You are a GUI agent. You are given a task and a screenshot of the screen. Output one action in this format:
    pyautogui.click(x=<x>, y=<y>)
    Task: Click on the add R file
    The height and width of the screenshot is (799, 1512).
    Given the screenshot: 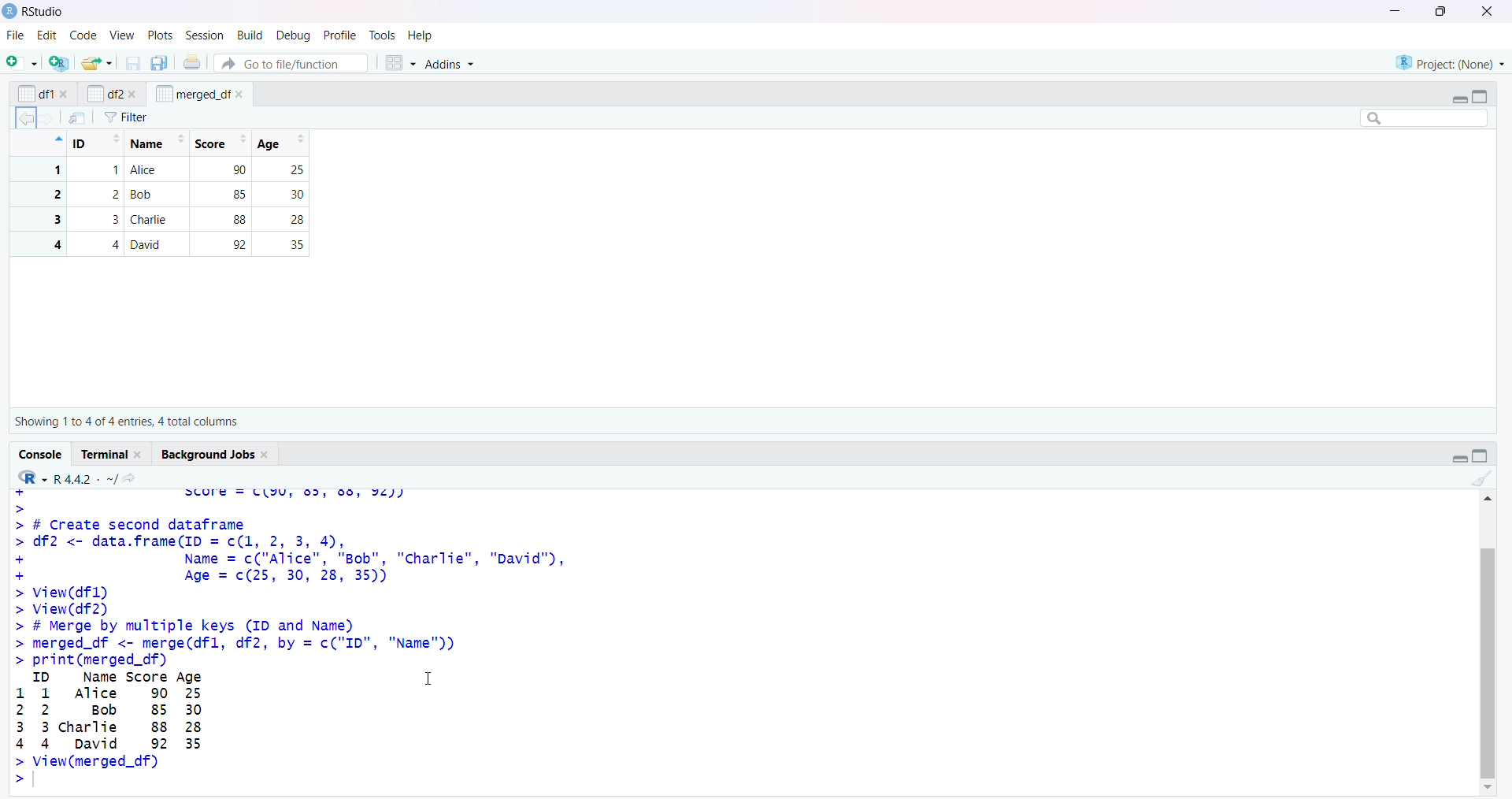 What is the action you would take?
    pyautogui.click(x=60, y=63)
    